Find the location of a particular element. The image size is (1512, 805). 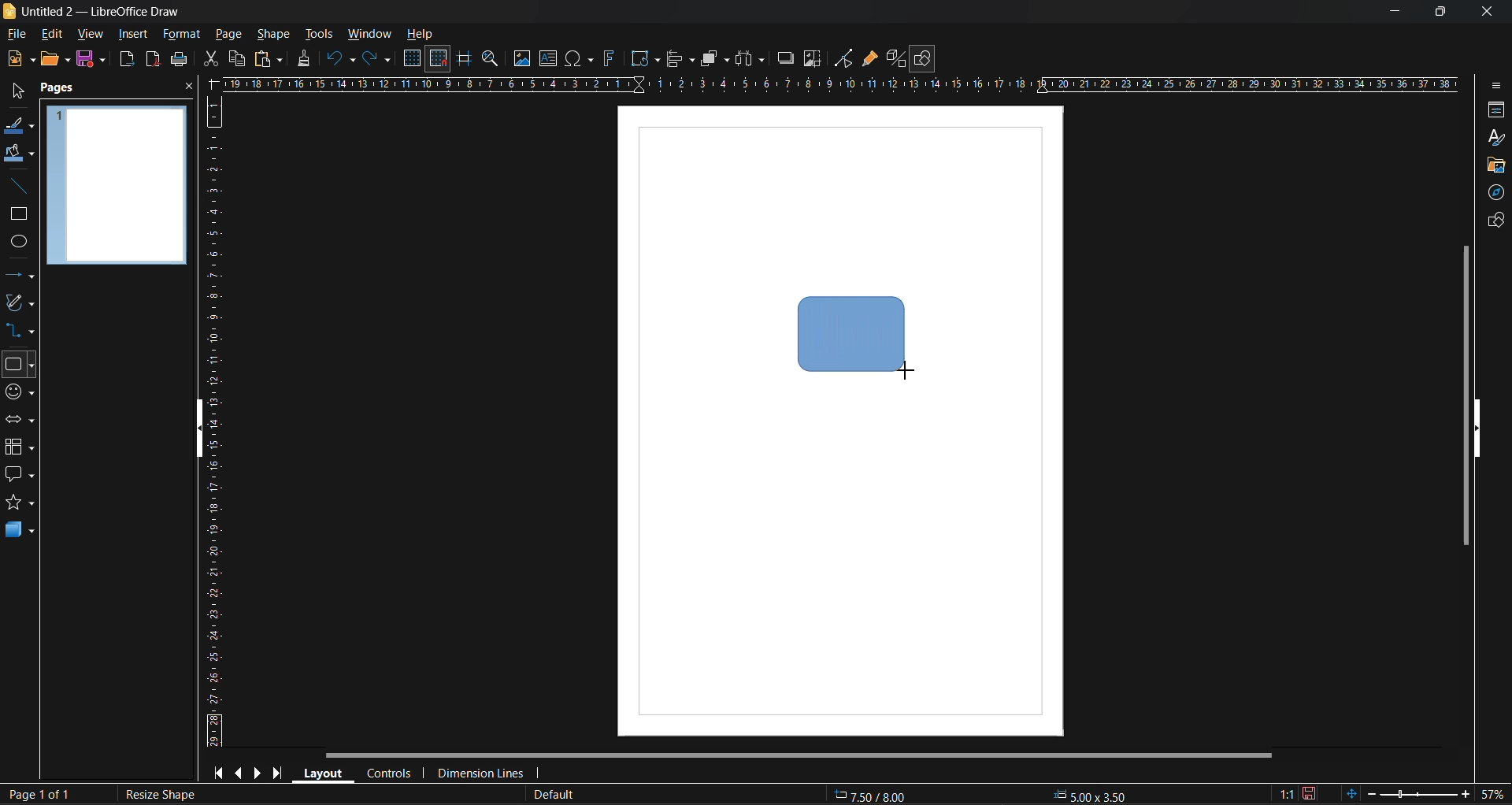

display grid is located at coordinates (414, 59).